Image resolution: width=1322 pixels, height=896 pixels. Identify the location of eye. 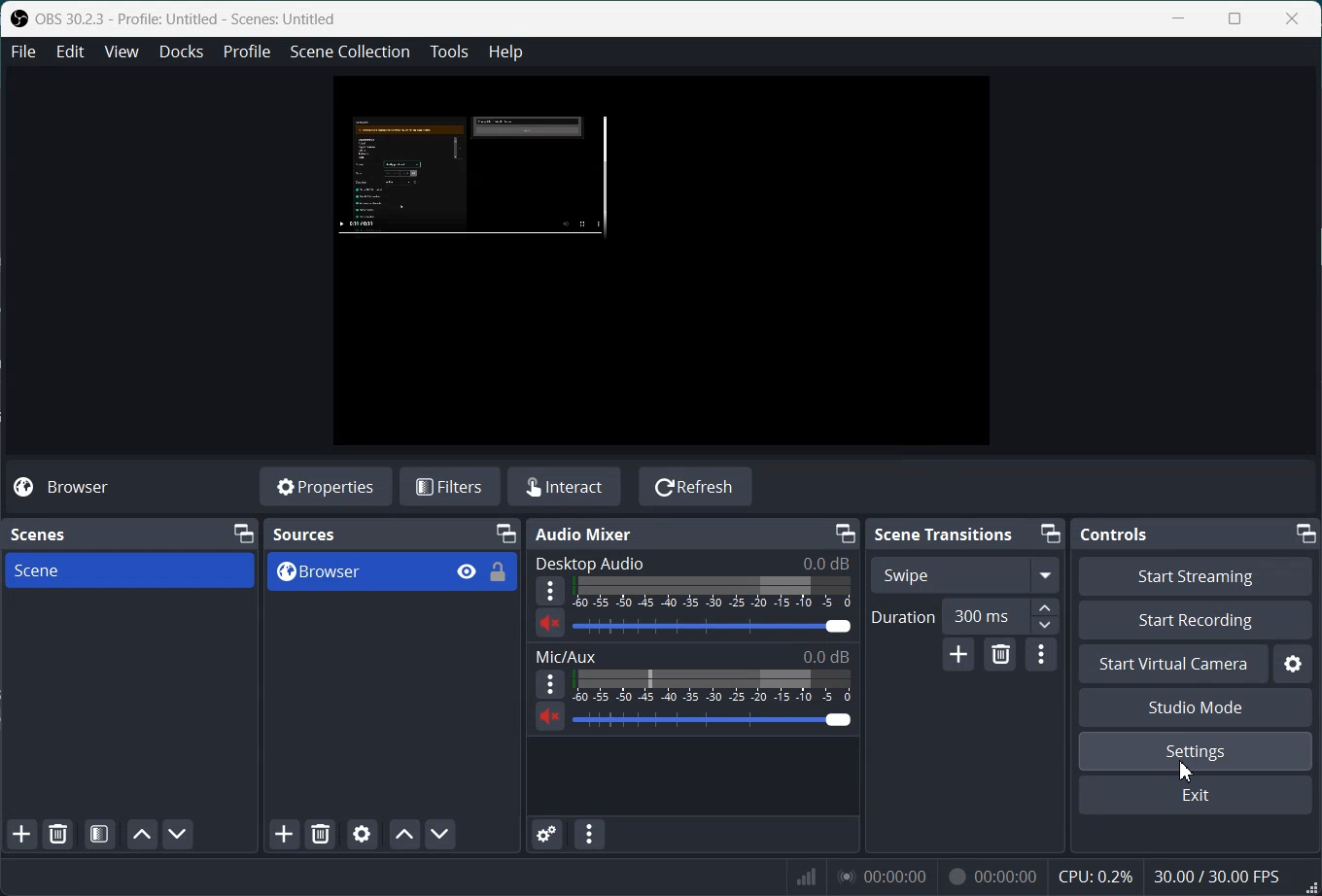
(468, 570).